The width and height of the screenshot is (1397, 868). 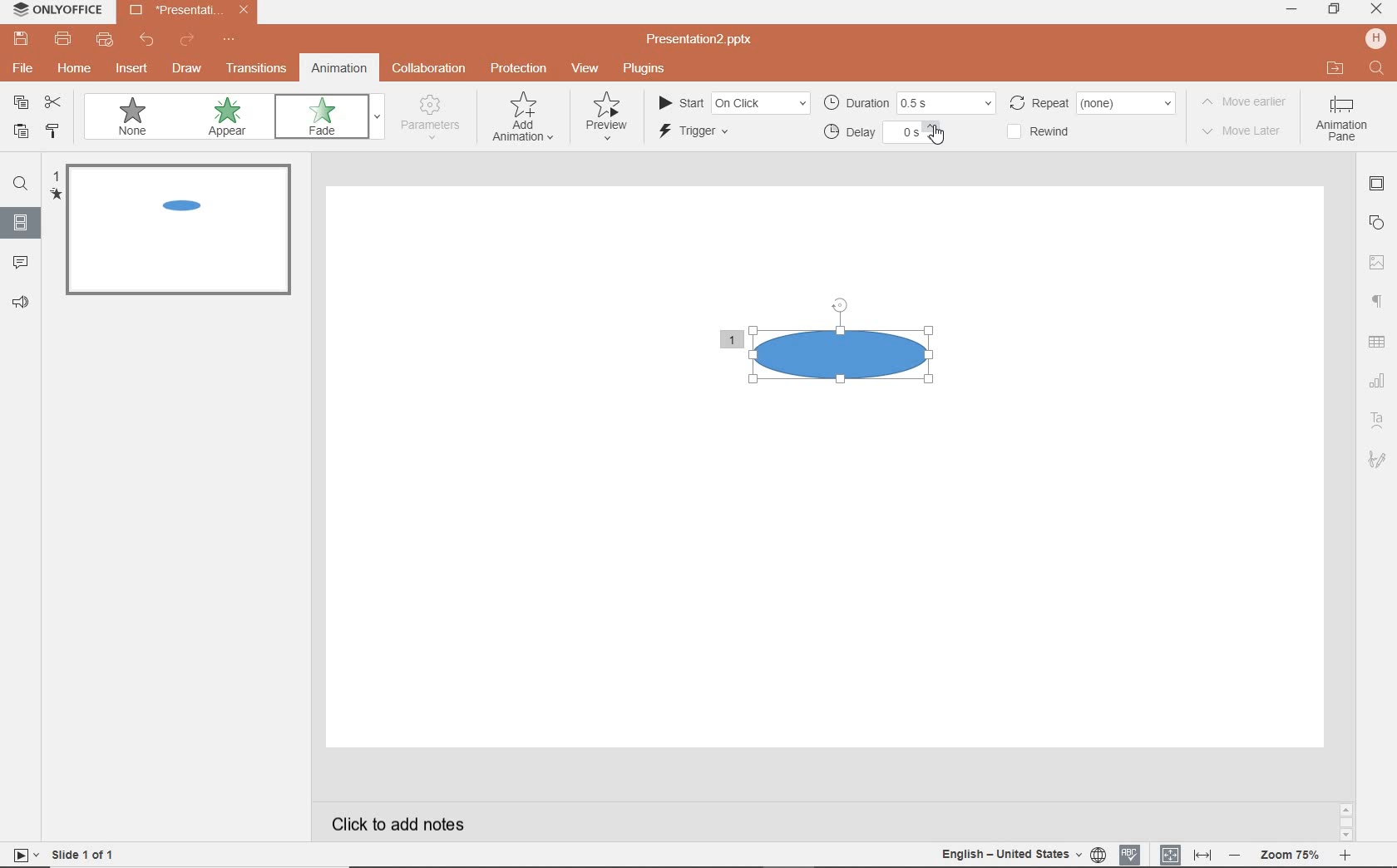 I want to click on delay, so click(x=885, y=136).